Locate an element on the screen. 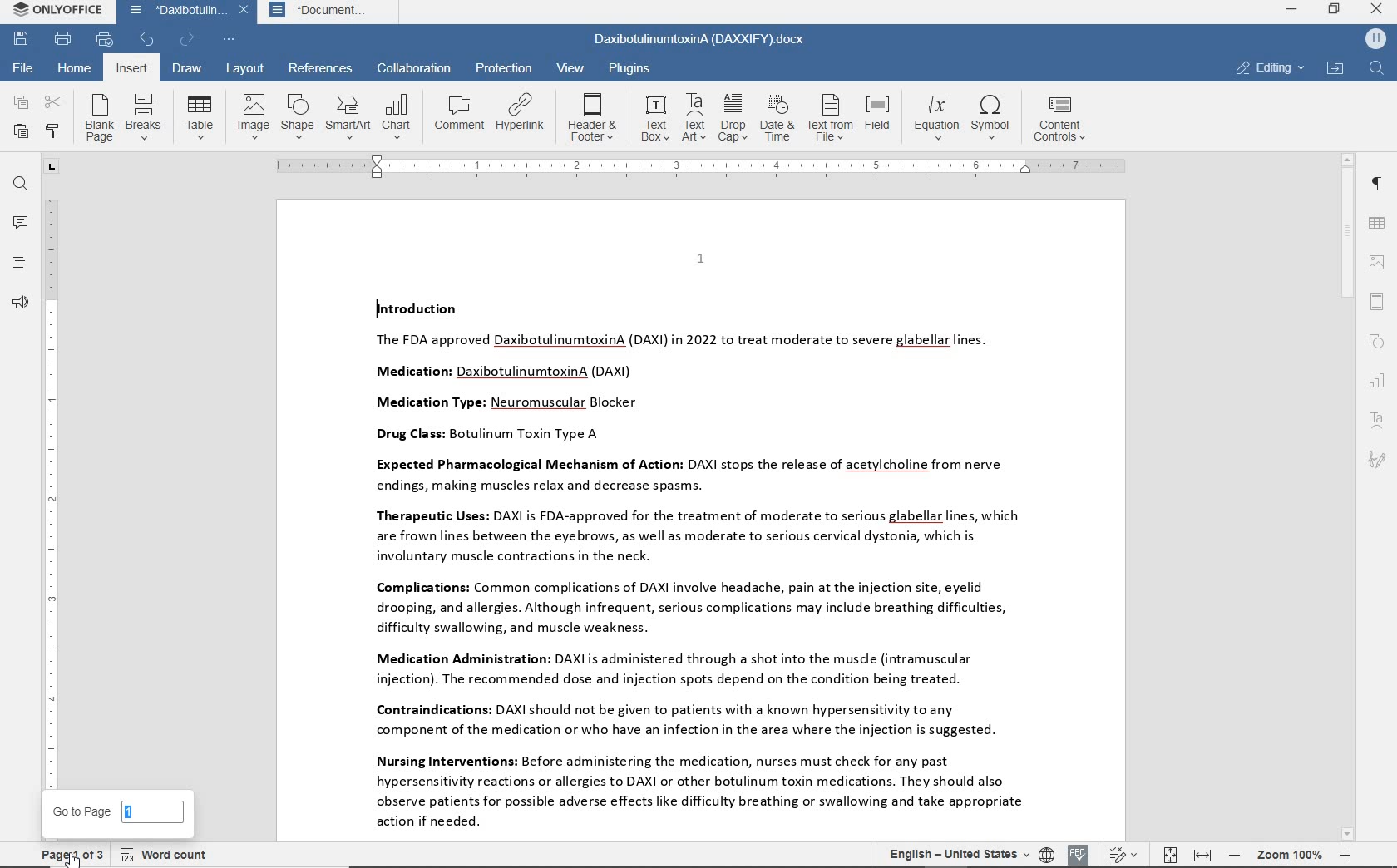 The image size is (1397, 868). table is located at coordinates (1378, 224).